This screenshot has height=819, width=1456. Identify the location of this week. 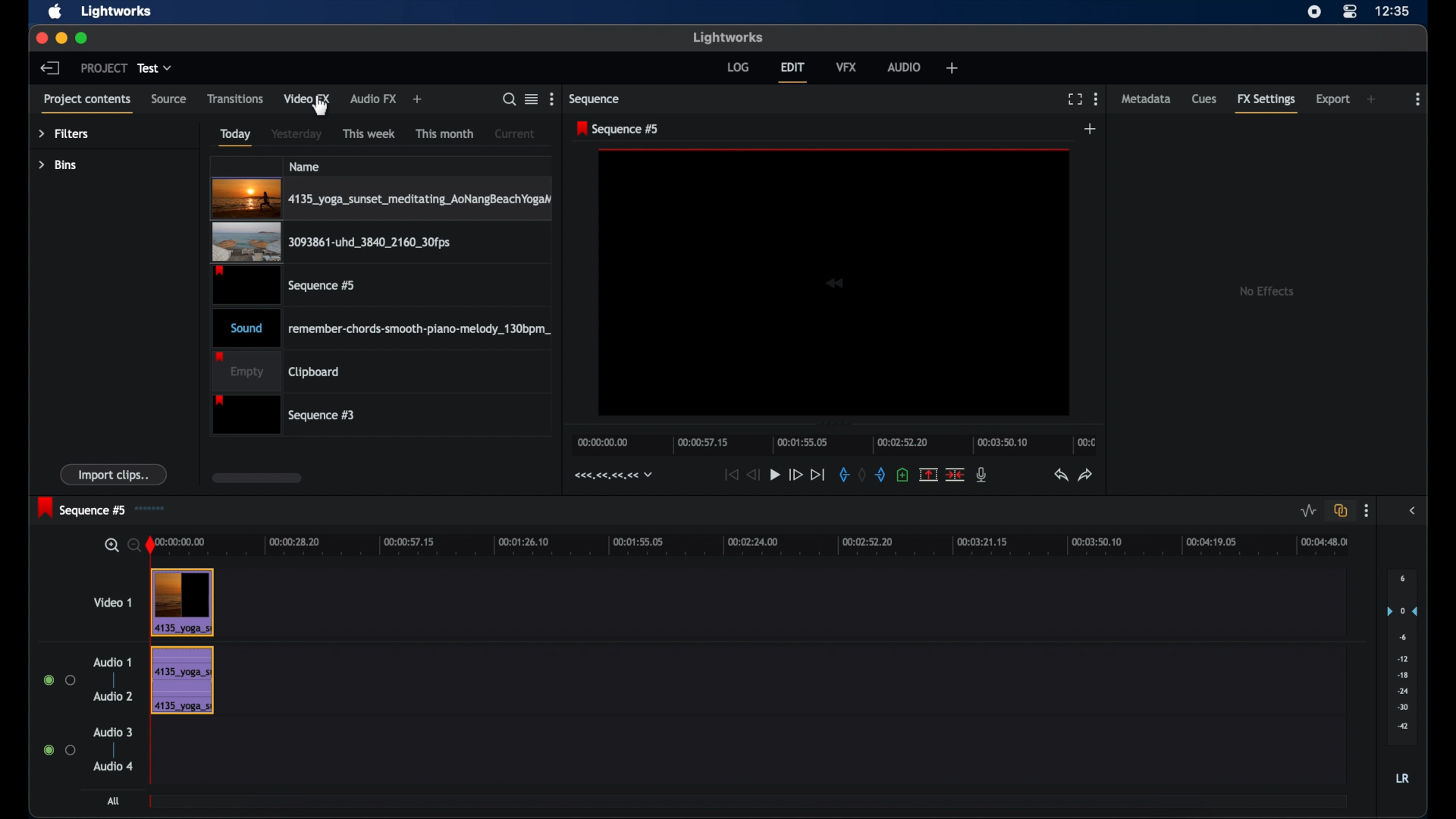
(370, 133).